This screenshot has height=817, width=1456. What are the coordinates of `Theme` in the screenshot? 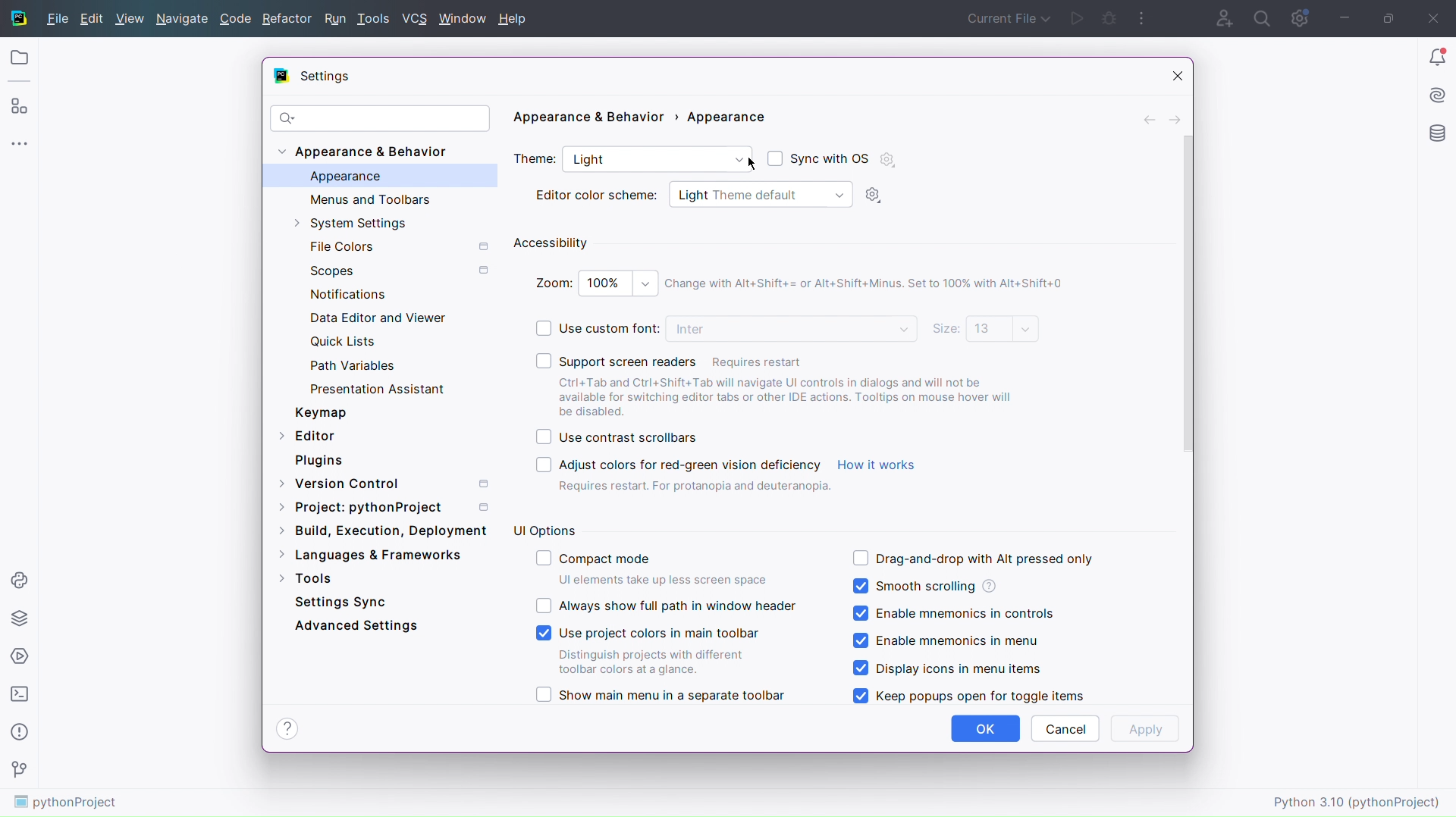 It's located at (535, 160).